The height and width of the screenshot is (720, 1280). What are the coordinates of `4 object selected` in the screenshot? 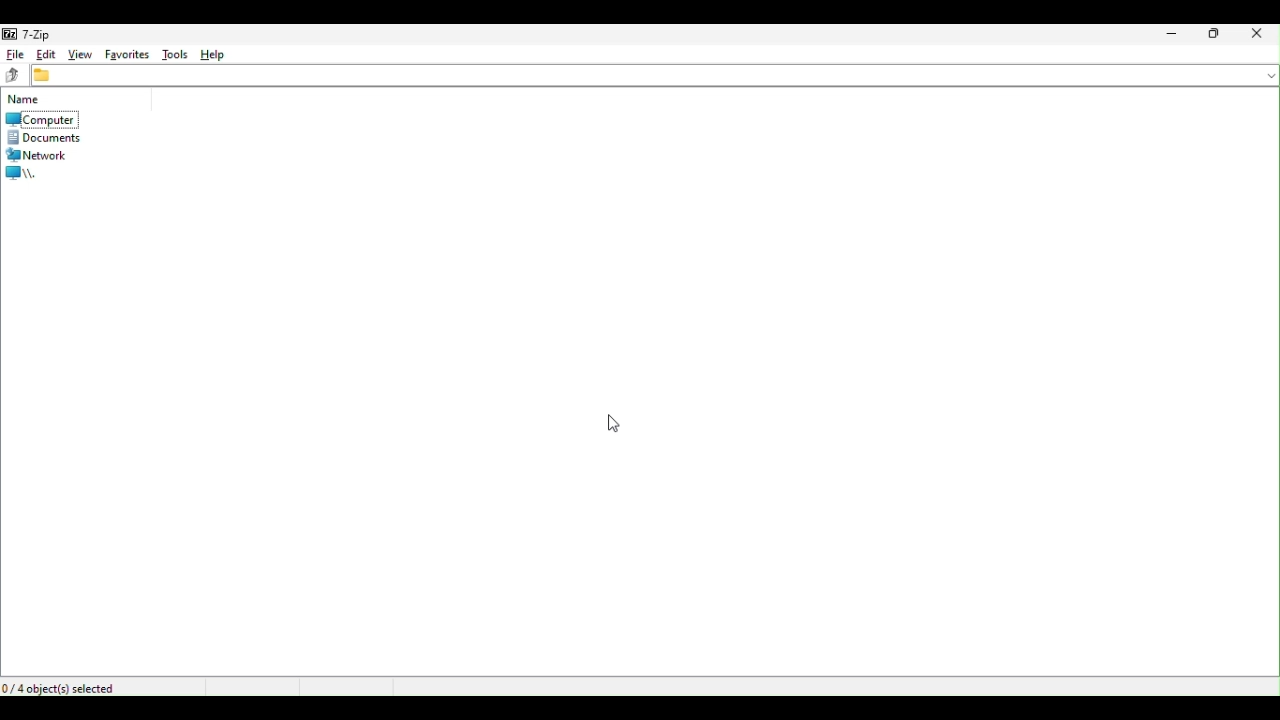 It's located at (64, 690).